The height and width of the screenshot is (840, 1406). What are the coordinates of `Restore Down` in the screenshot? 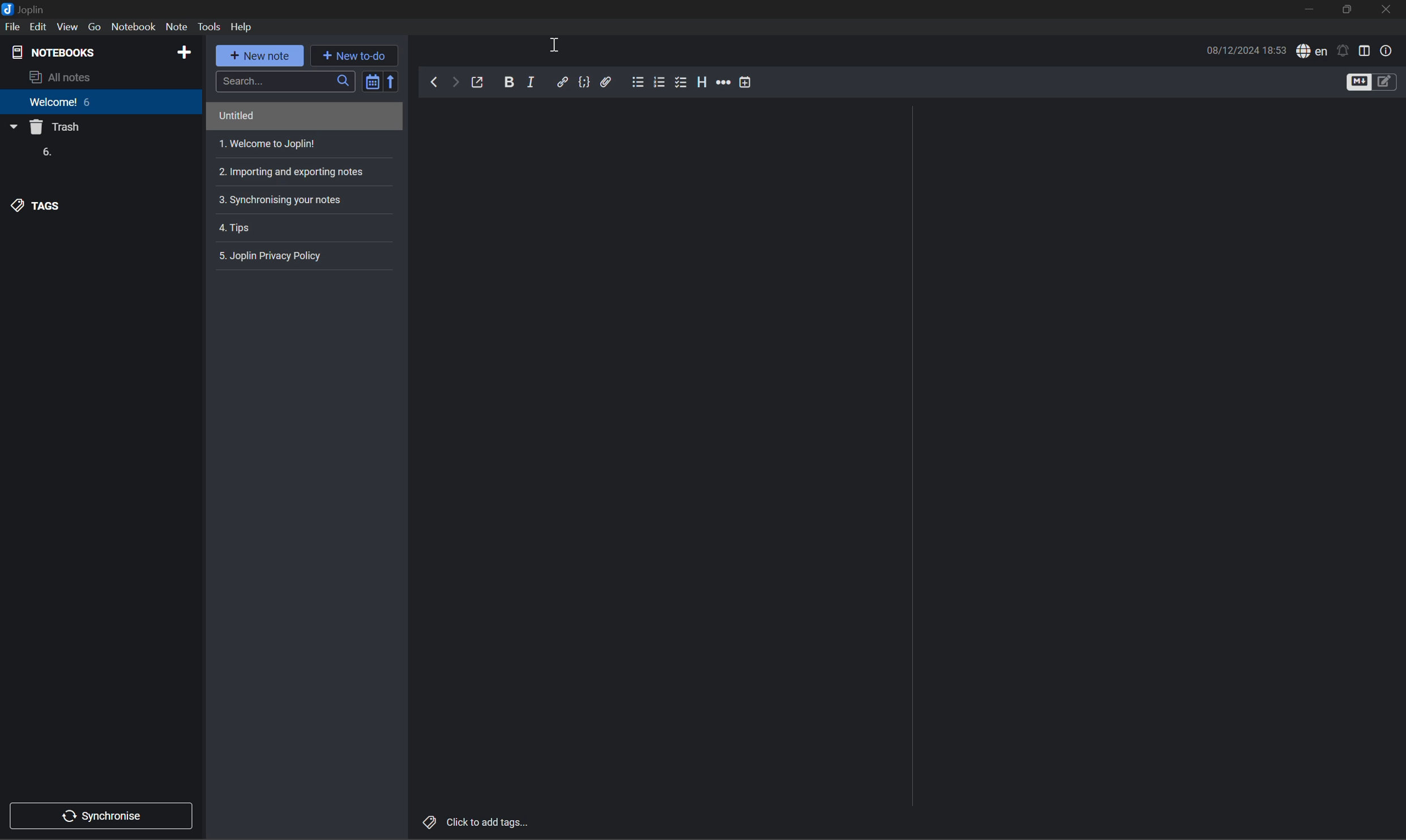 It's located at (1349, 10).